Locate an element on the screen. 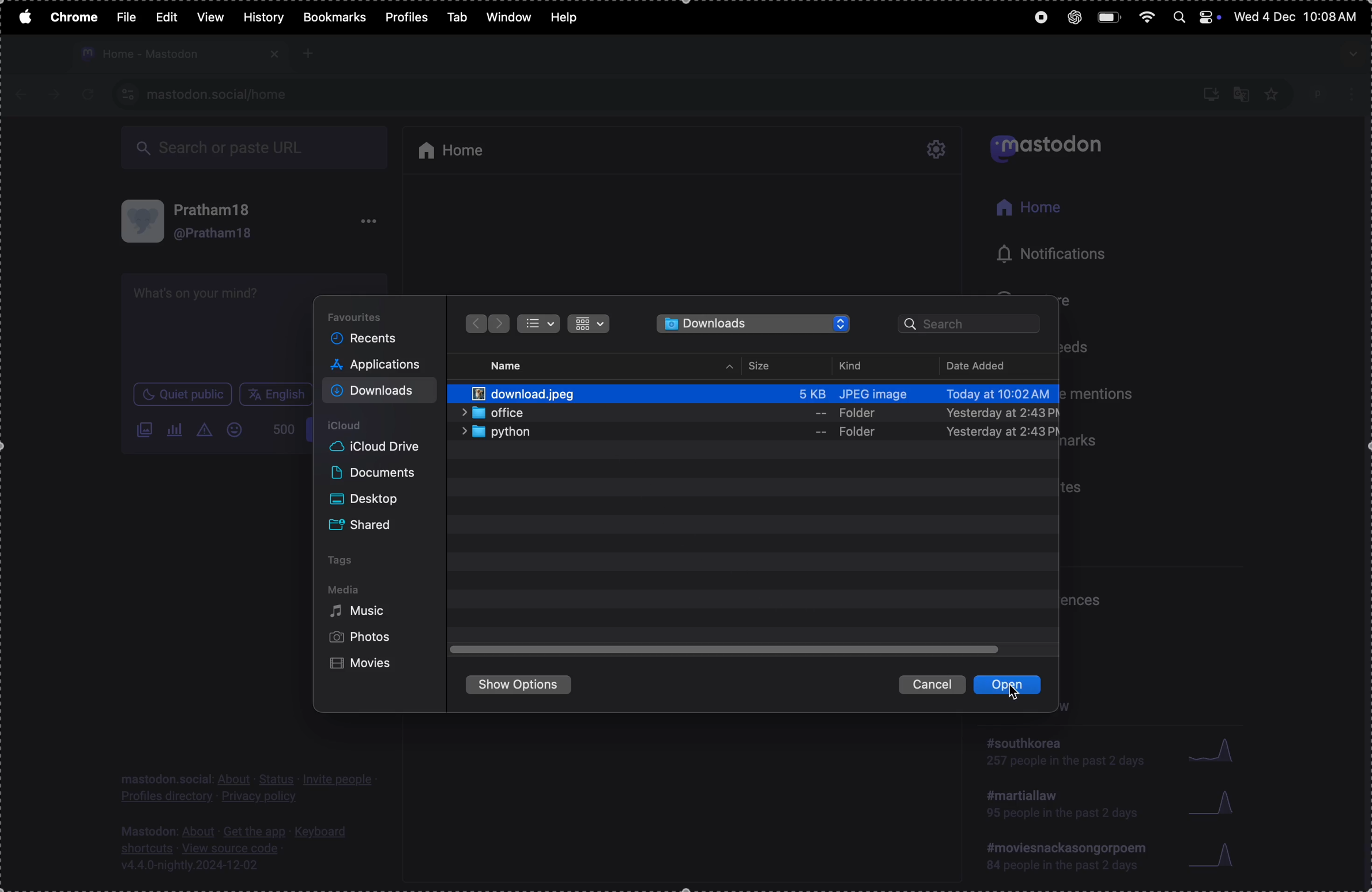 The height and width of the screenshot is (892, 1372). Home is located at coordinates (460, 147).